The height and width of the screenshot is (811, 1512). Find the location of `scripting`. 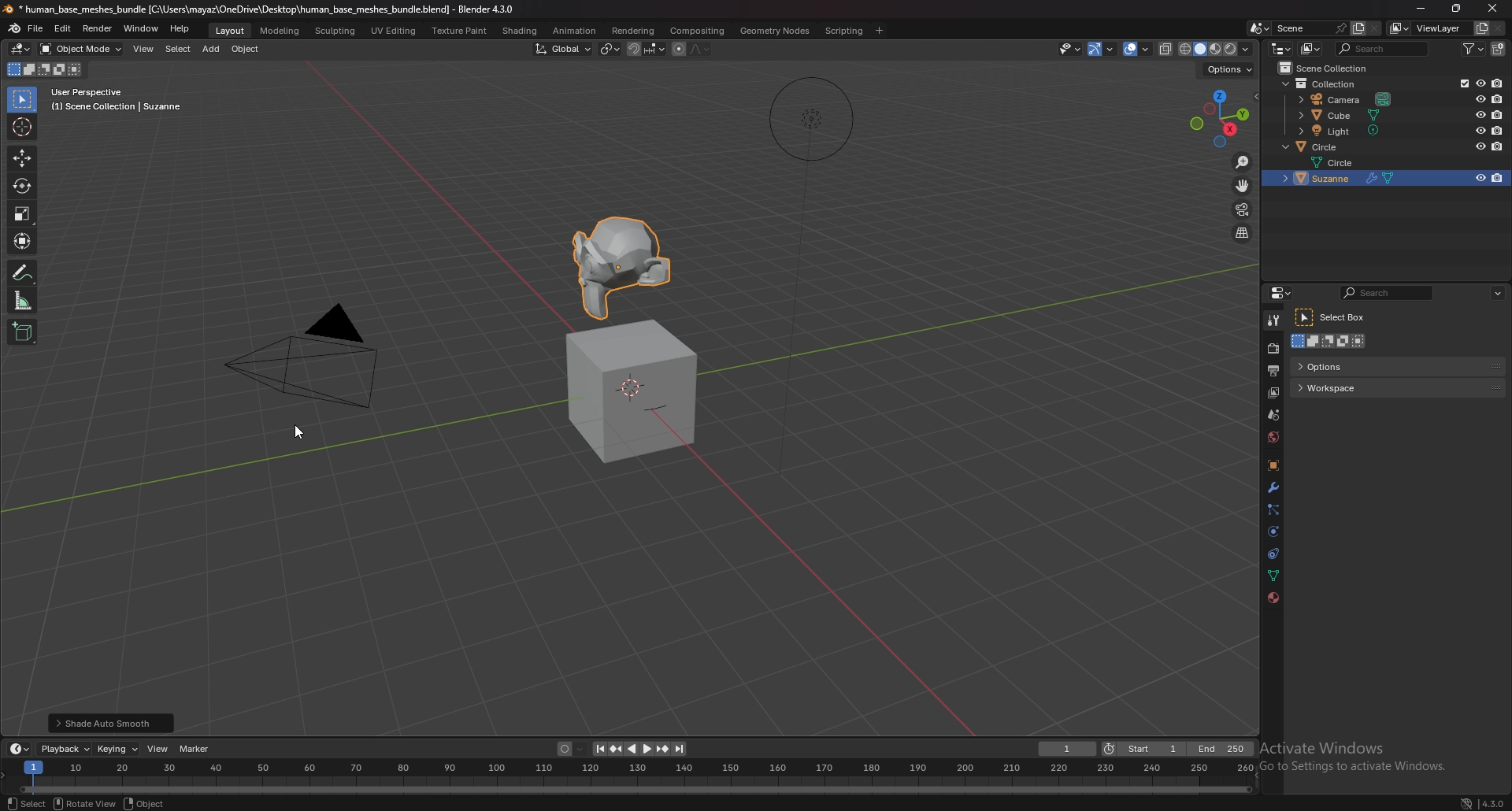

scripting is located at coordinates (845, 31).